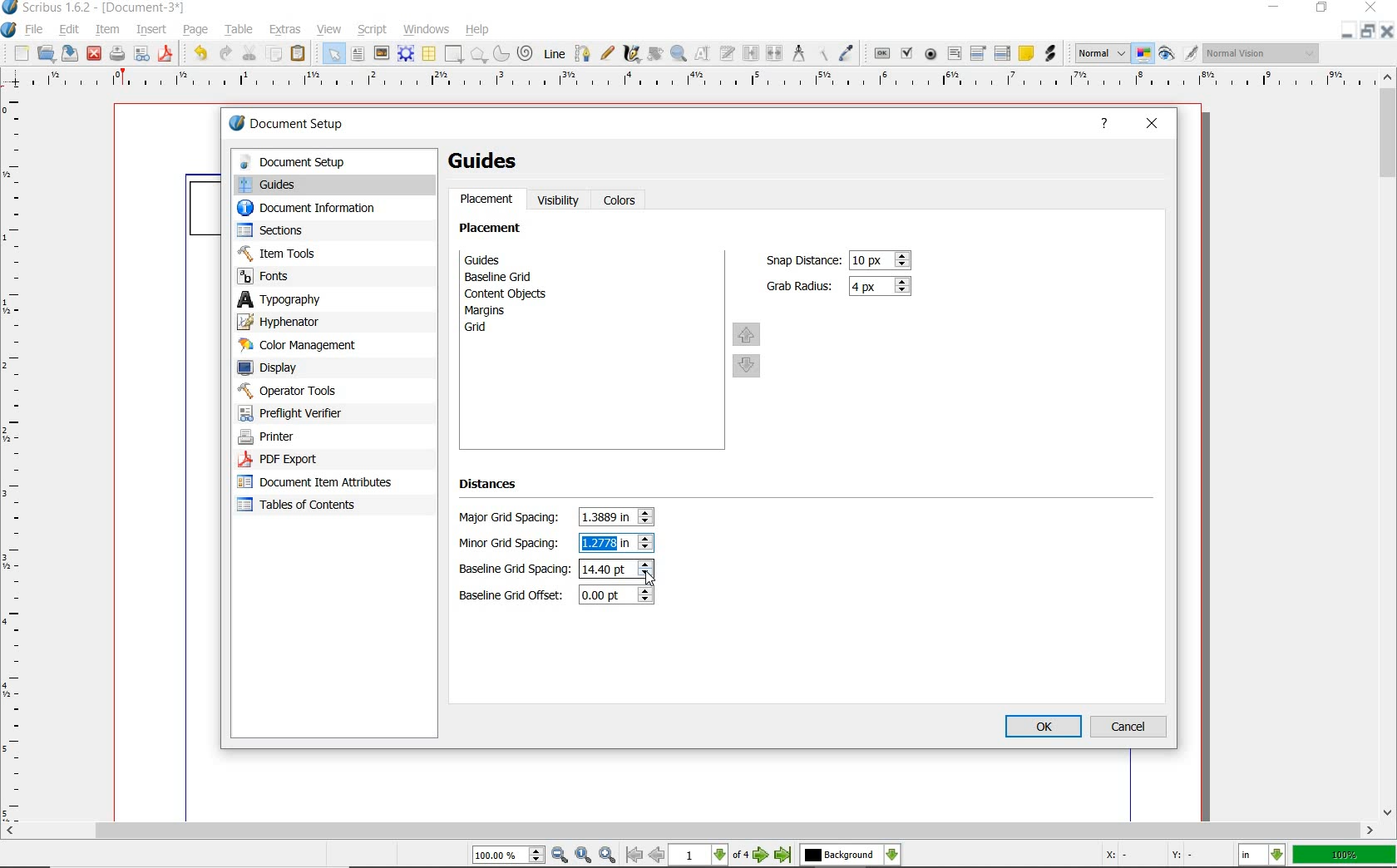 Image resolution: width=1397 pixels, height=868 pixels. Describe the element at coordinates (334, 275) in the screenshot. I see `fonts` at that location.